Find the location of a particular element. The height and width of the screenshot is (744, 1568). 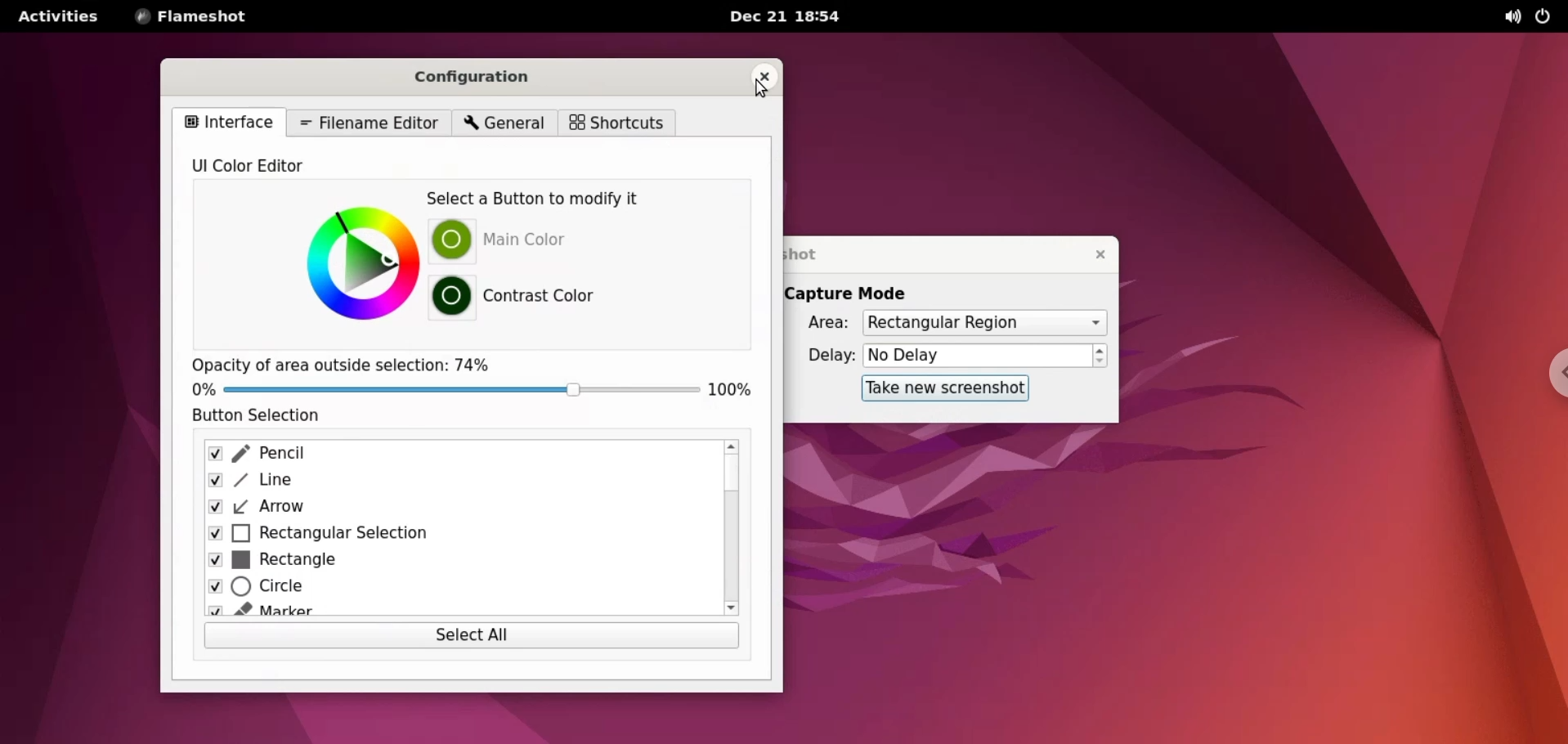

marker checkbox is located at coordinates (456, 612).